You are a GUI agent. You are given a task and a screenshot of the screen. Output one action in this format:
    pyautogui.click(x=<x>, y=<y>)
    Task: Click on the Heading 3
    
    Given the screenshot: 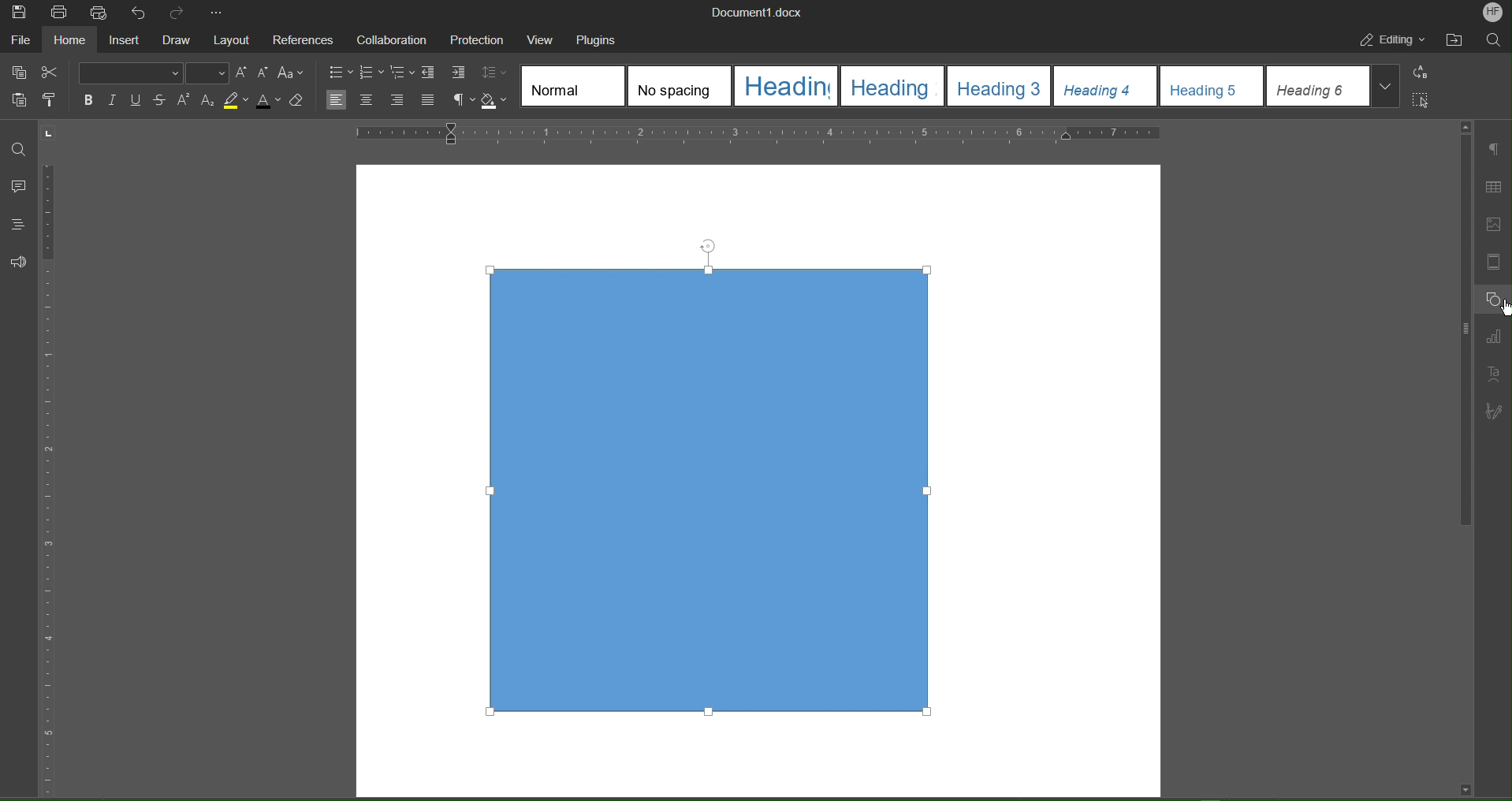 What is the action you would take?
    pyautogui.click(x=999, y=86)
    